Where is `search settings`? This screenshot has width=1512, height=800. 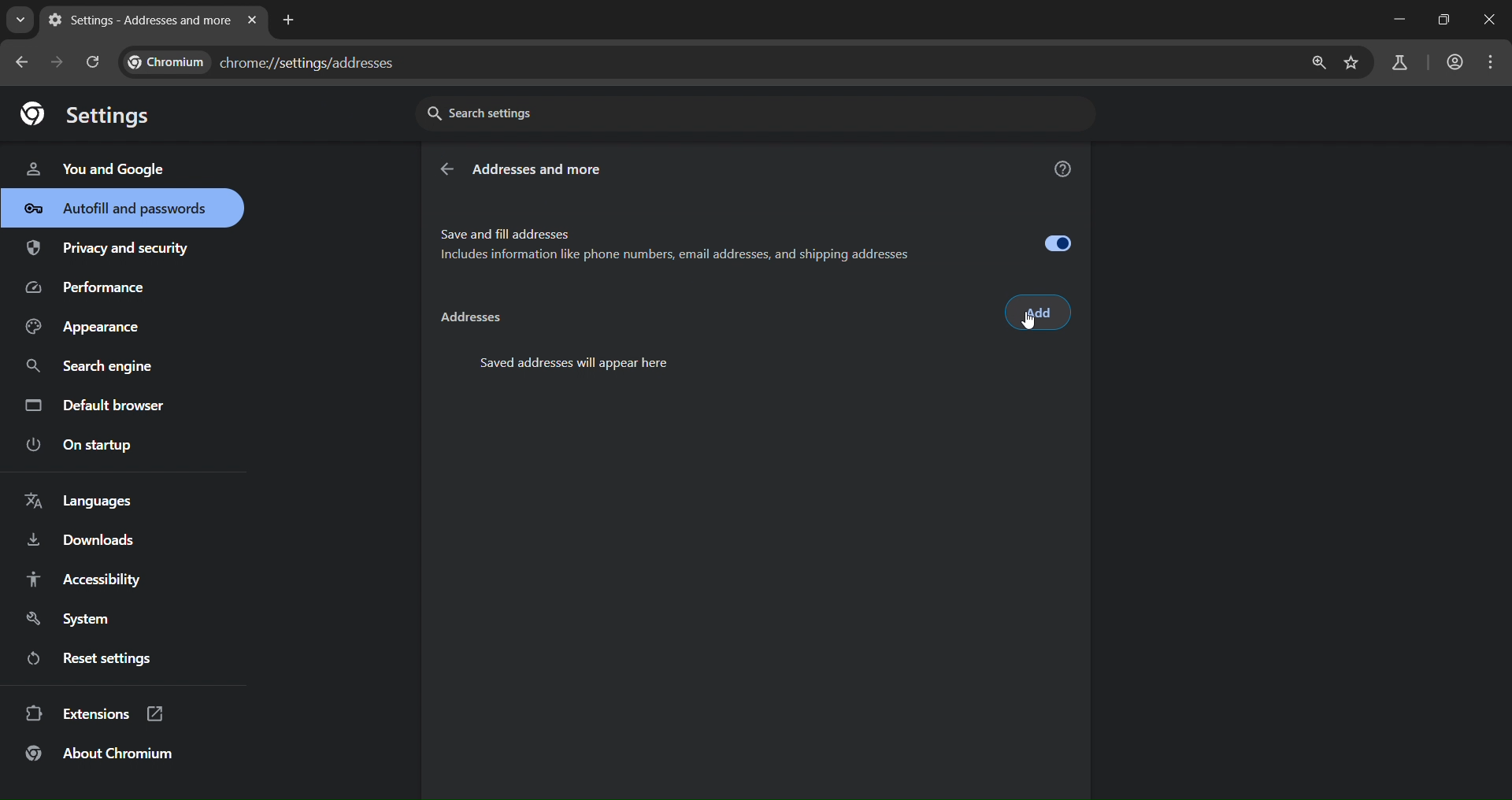
search settings is located at coordinates (563, 112).